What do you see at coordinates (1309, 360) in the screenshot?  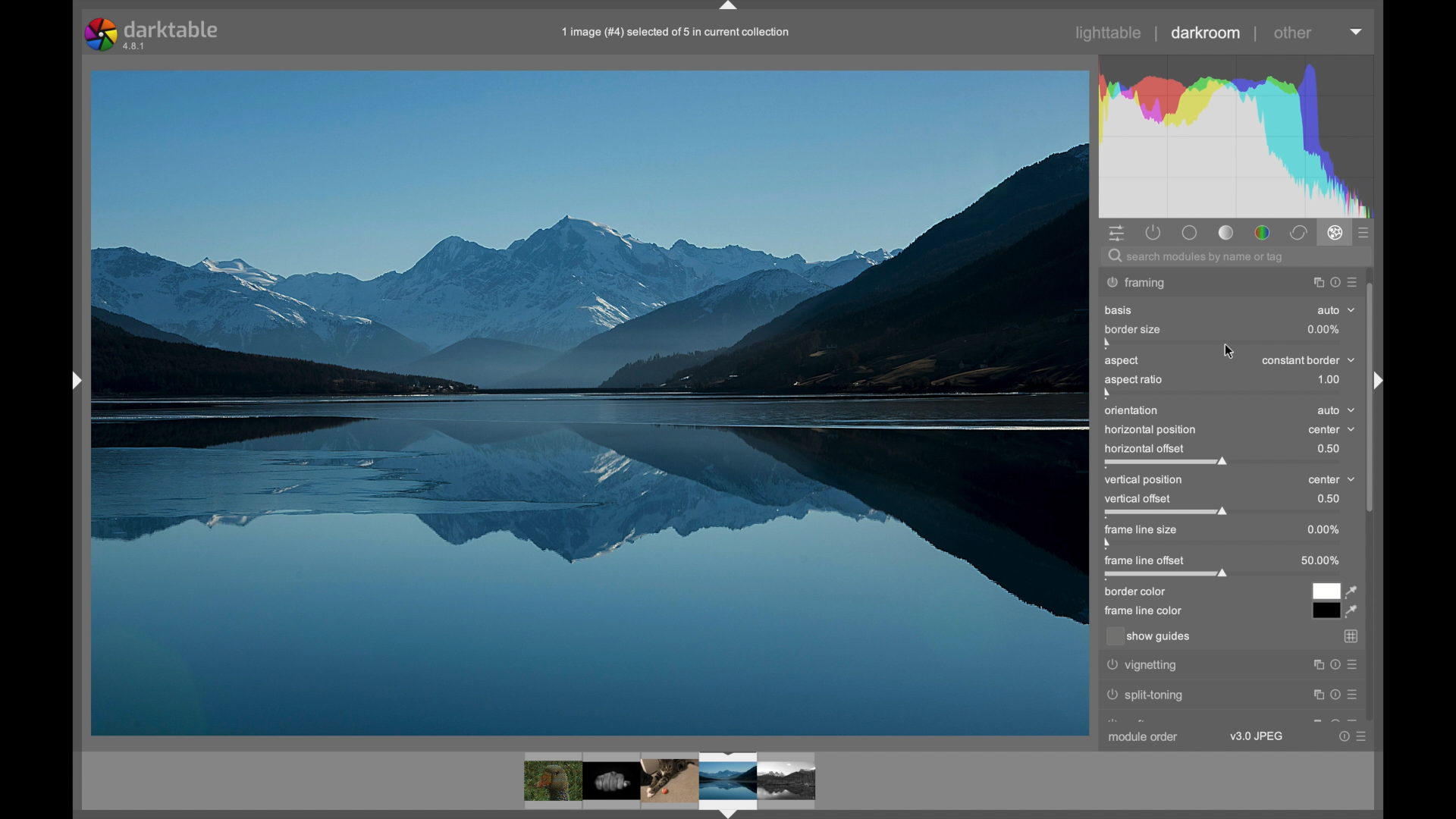 I see `constant border dropdown` at bounding box center [1309, 360].